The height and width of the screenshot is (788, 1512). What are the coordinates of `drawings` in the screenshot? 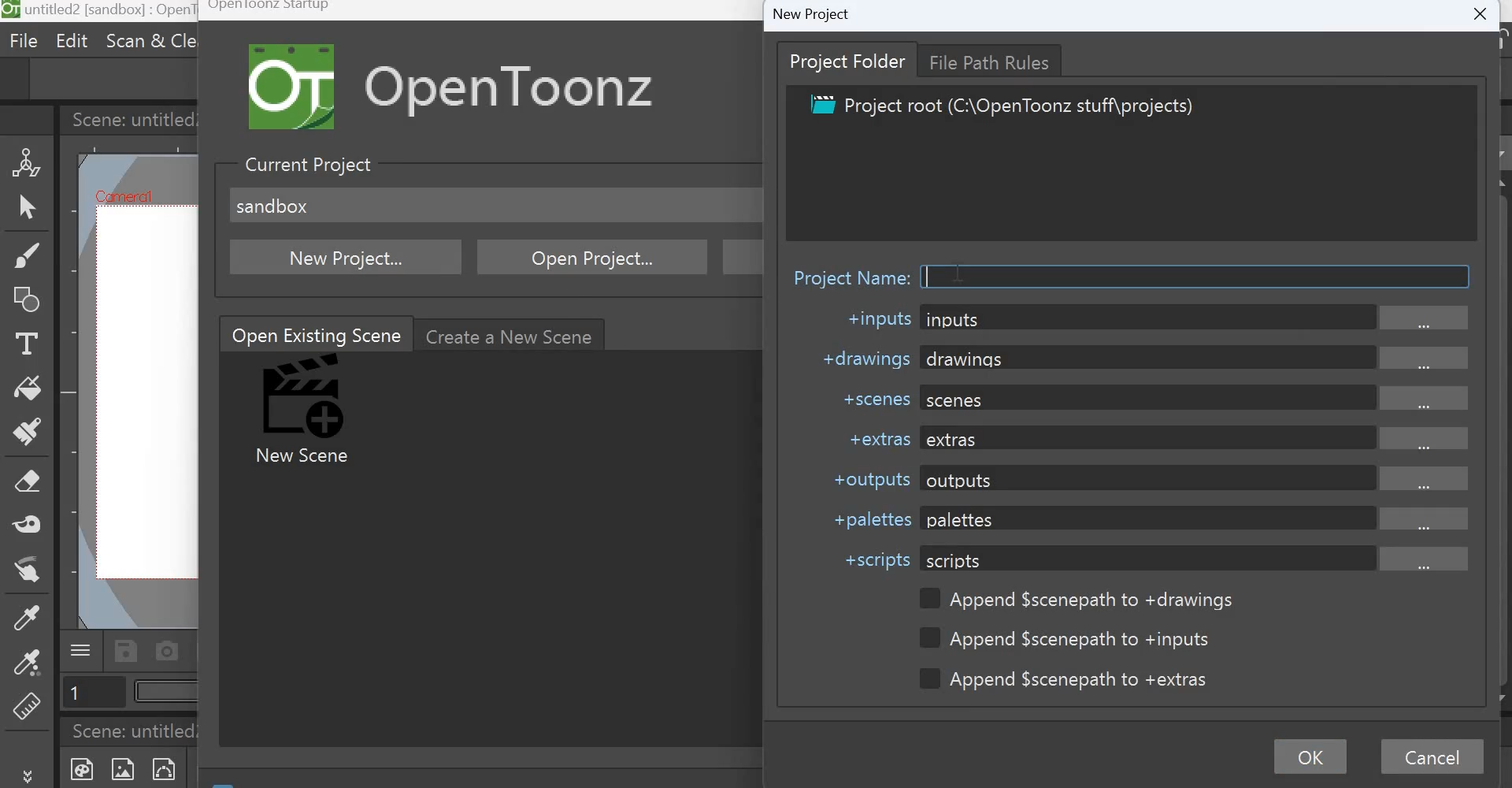 It's located at (1199, 357).